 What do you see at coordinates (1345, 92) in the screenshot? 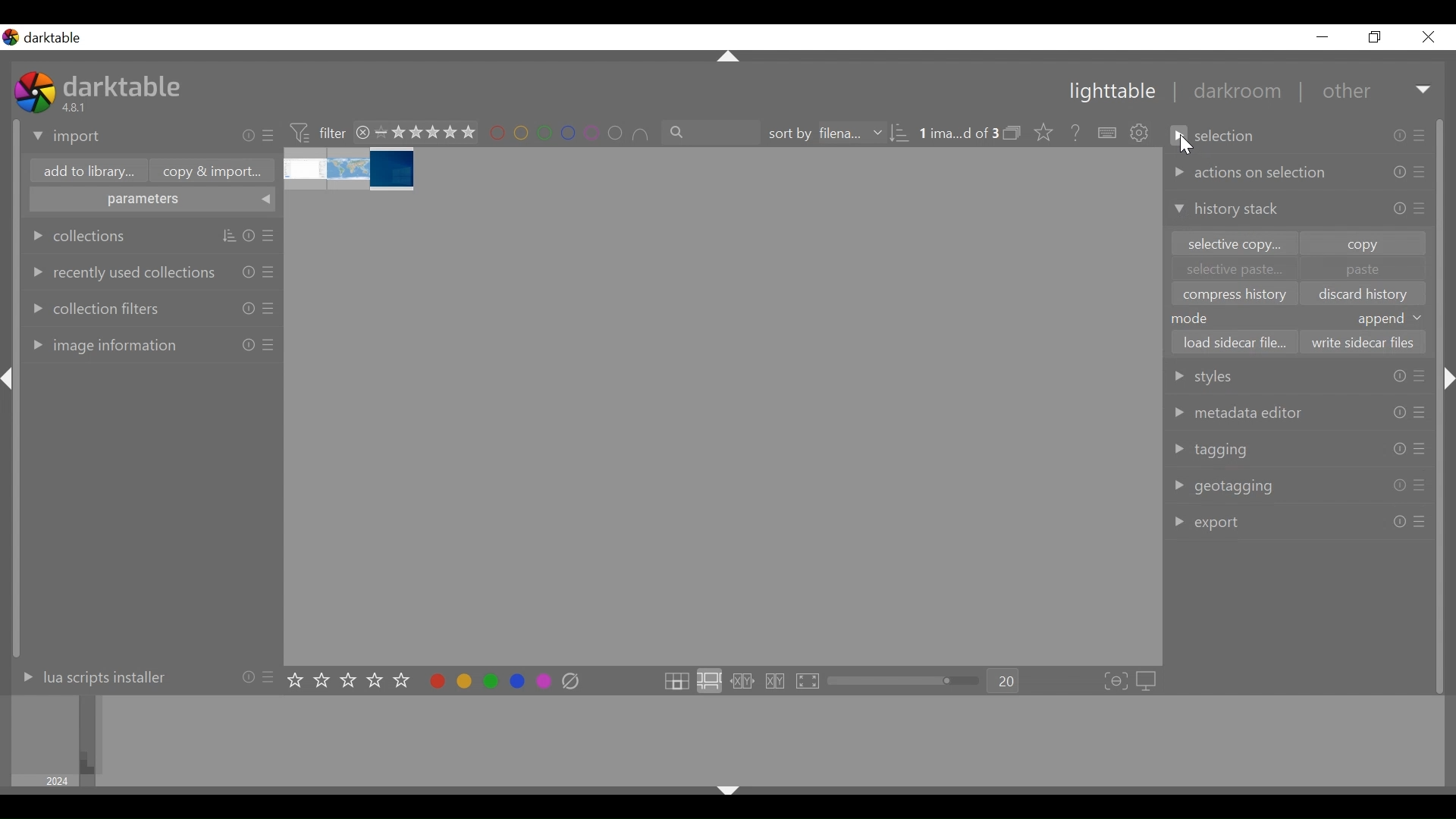
I see `other` at bounding box center [1345, 92].